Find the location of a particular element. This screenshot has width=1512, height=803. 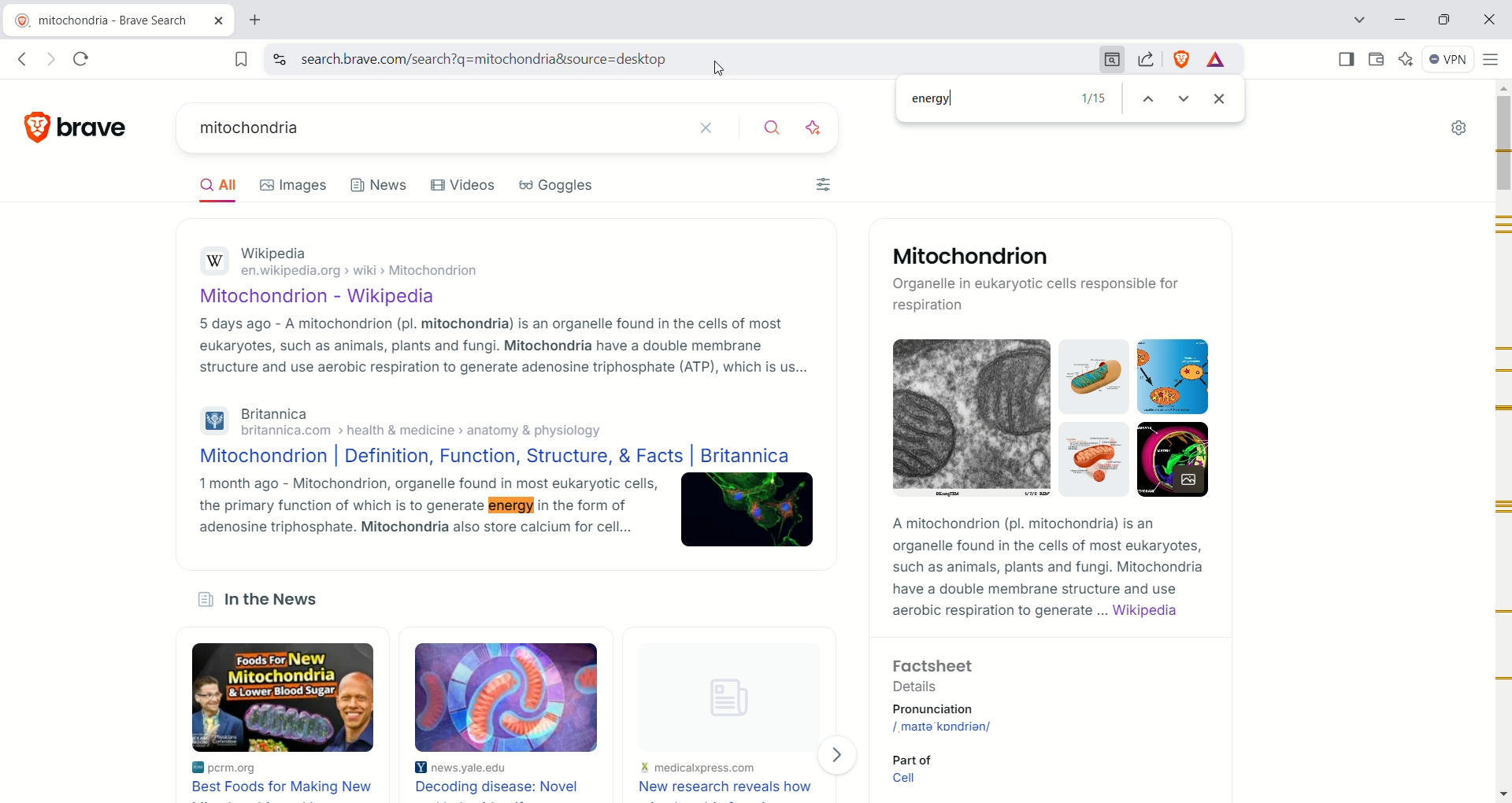

5 days ago - A mitochondrion (pl. mitochondria) is an organelle found in the cells of most
eukaryotes, such as animals, plants and fungi. Mitochondria have a double membrane
structure and use aerobic respiration to generate adenosine triphosphate (ATP), which is us... is located at coordinates (506, 350).